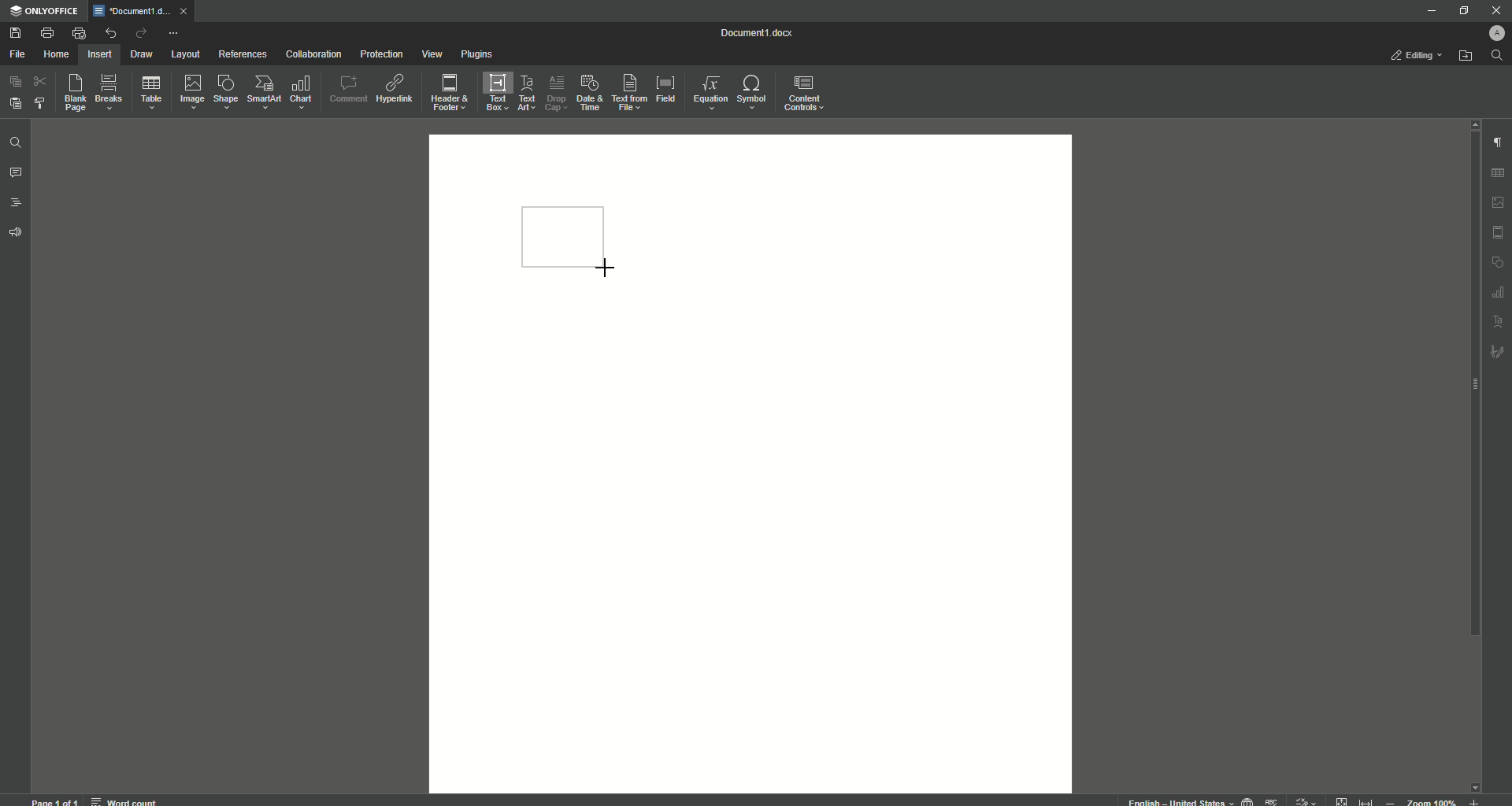 Image resolution: width=1512 pixels, height=806 pixels. I want to click on Tab 1, so click(134, 11).